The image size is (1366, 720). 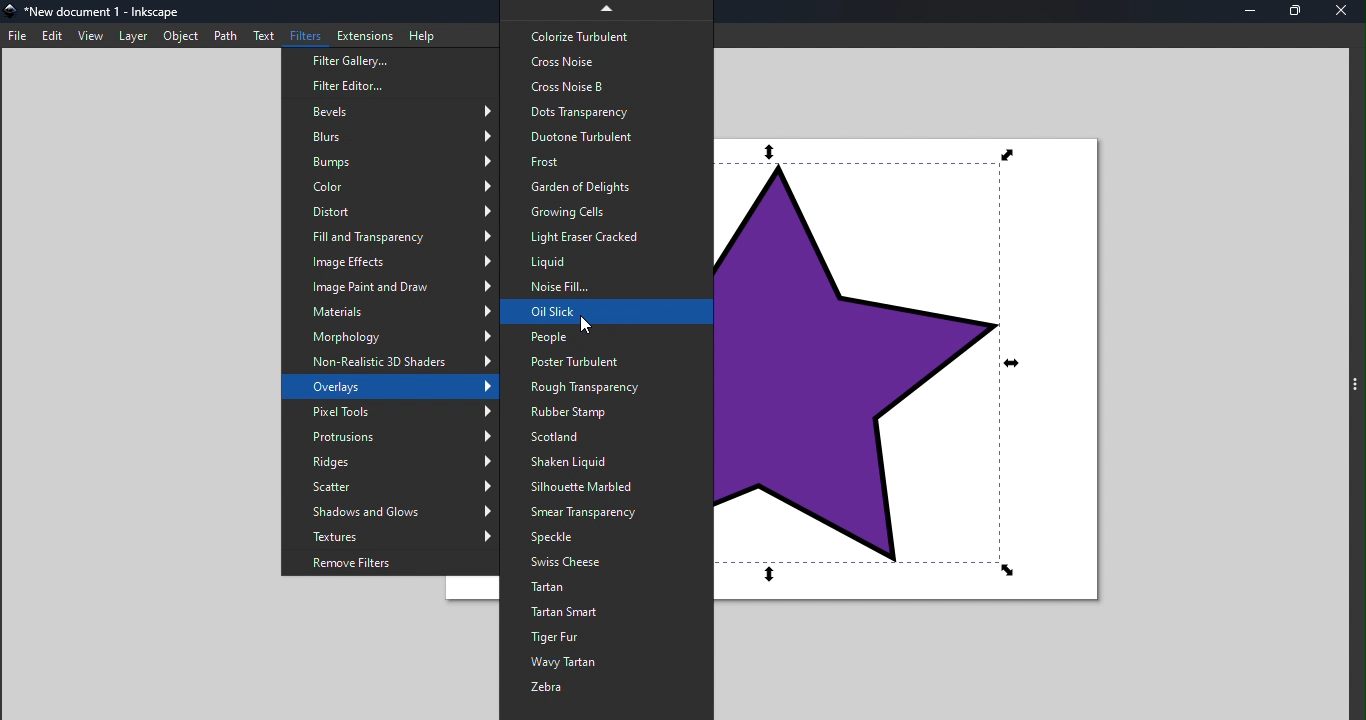 I want to click on Edit, so click(x=51, y=37).